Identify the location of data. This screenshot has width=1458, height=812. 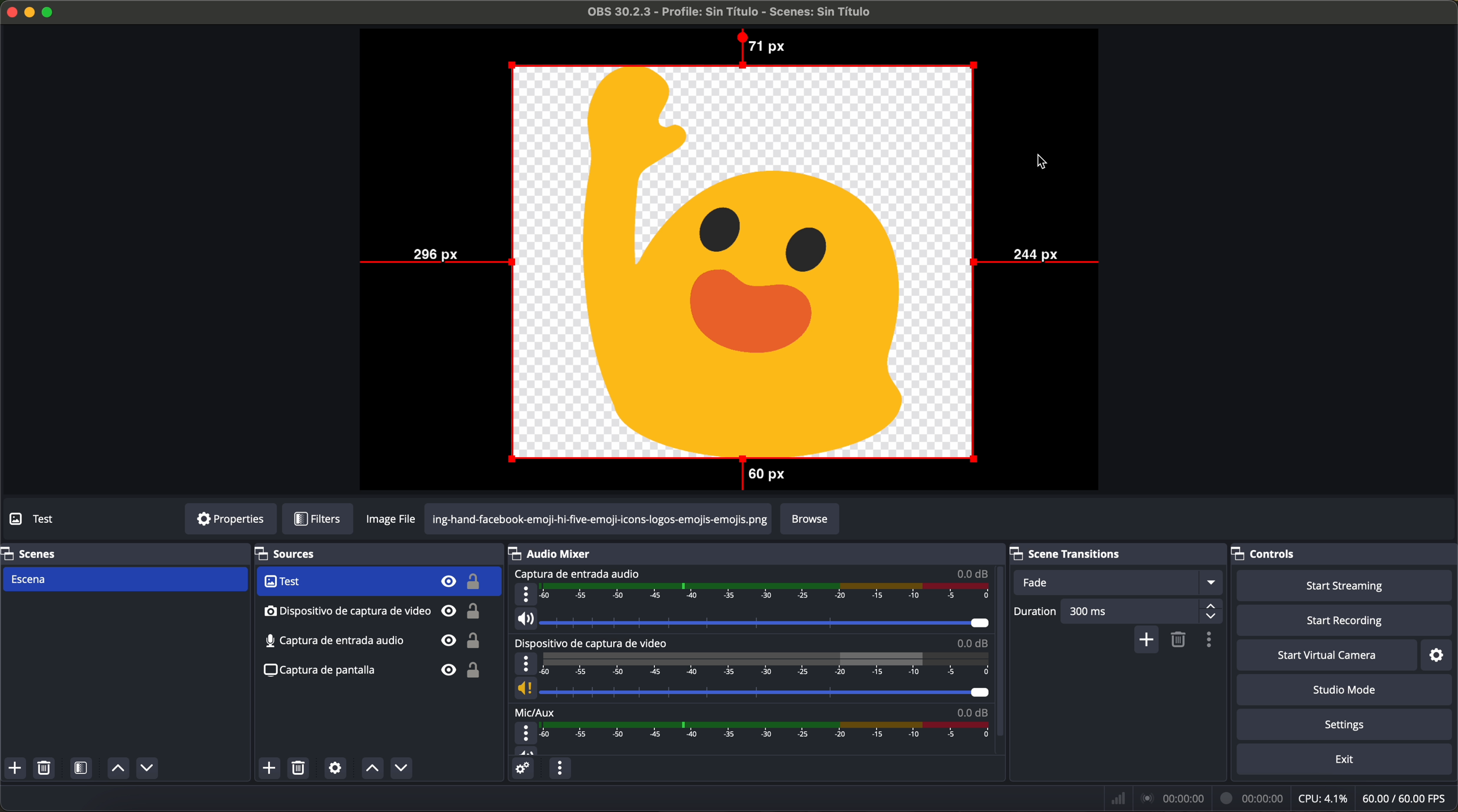
(1281, 798).